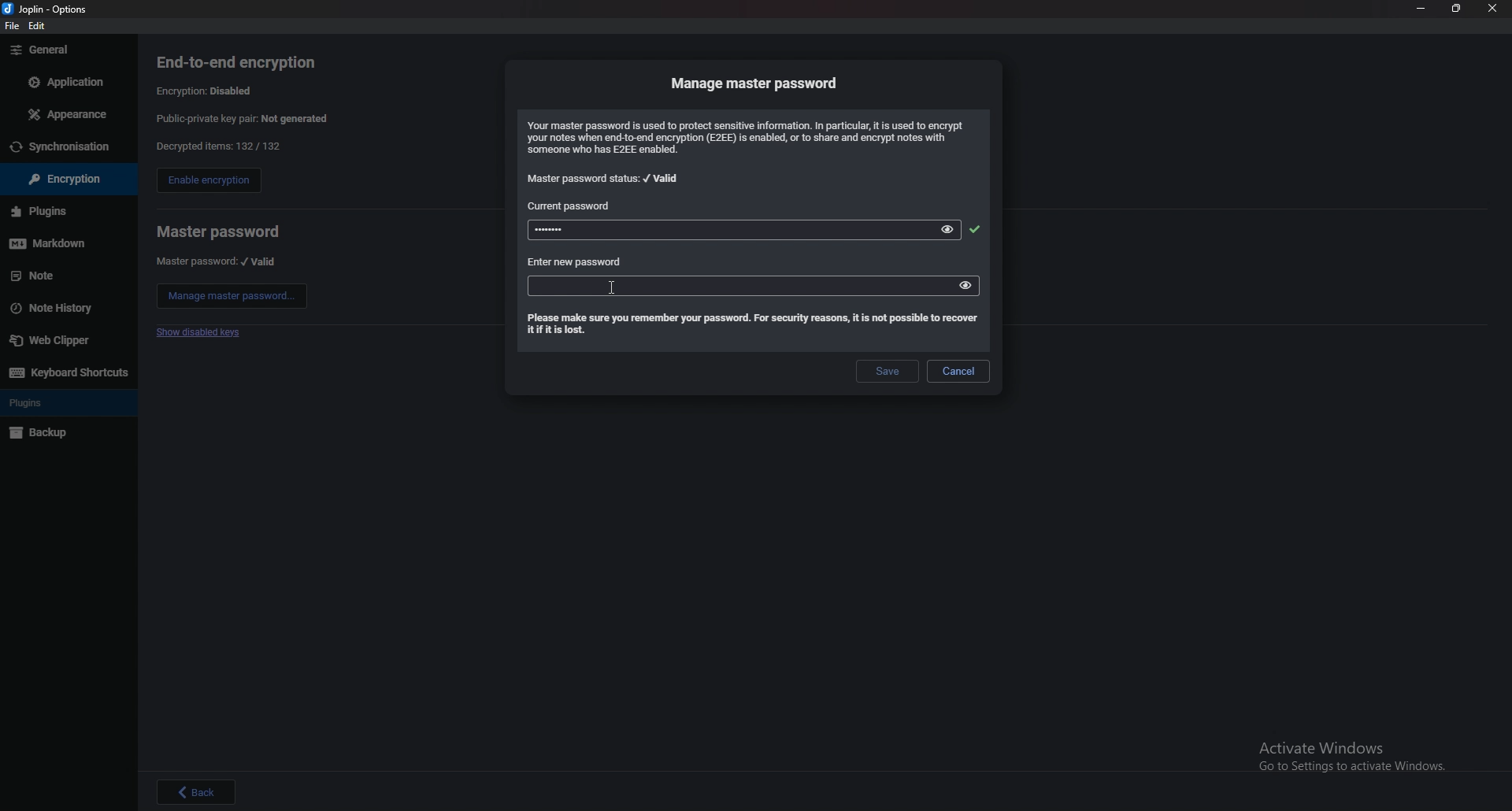  What do you see at coordinates (61, 211) in the screenshot?
I see `plugins` at bounding box center [61, 211].